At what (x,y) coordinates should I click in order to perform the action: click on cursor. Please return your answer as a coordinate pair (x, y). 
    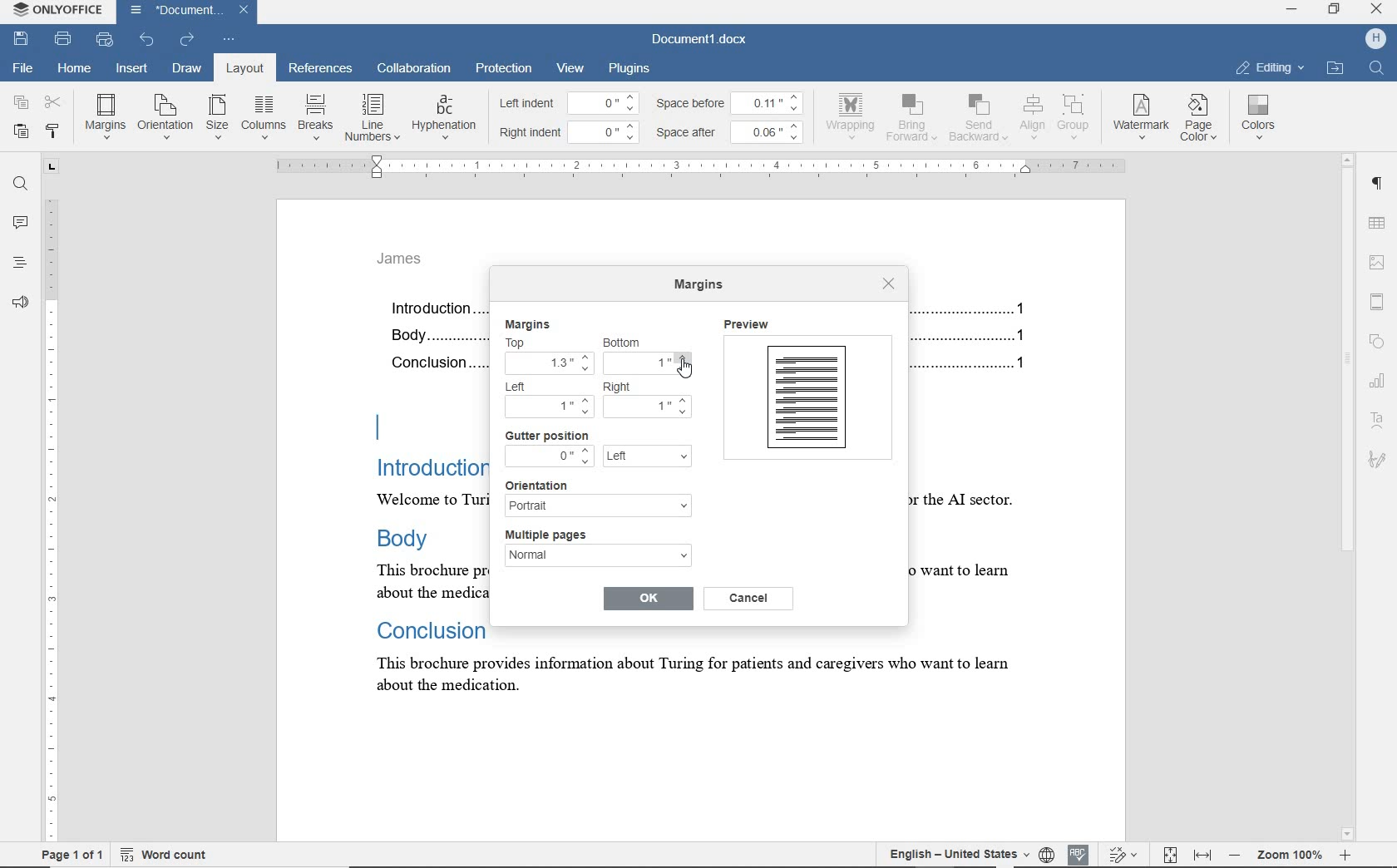
    Looking at the image, I should click on (684, 367).